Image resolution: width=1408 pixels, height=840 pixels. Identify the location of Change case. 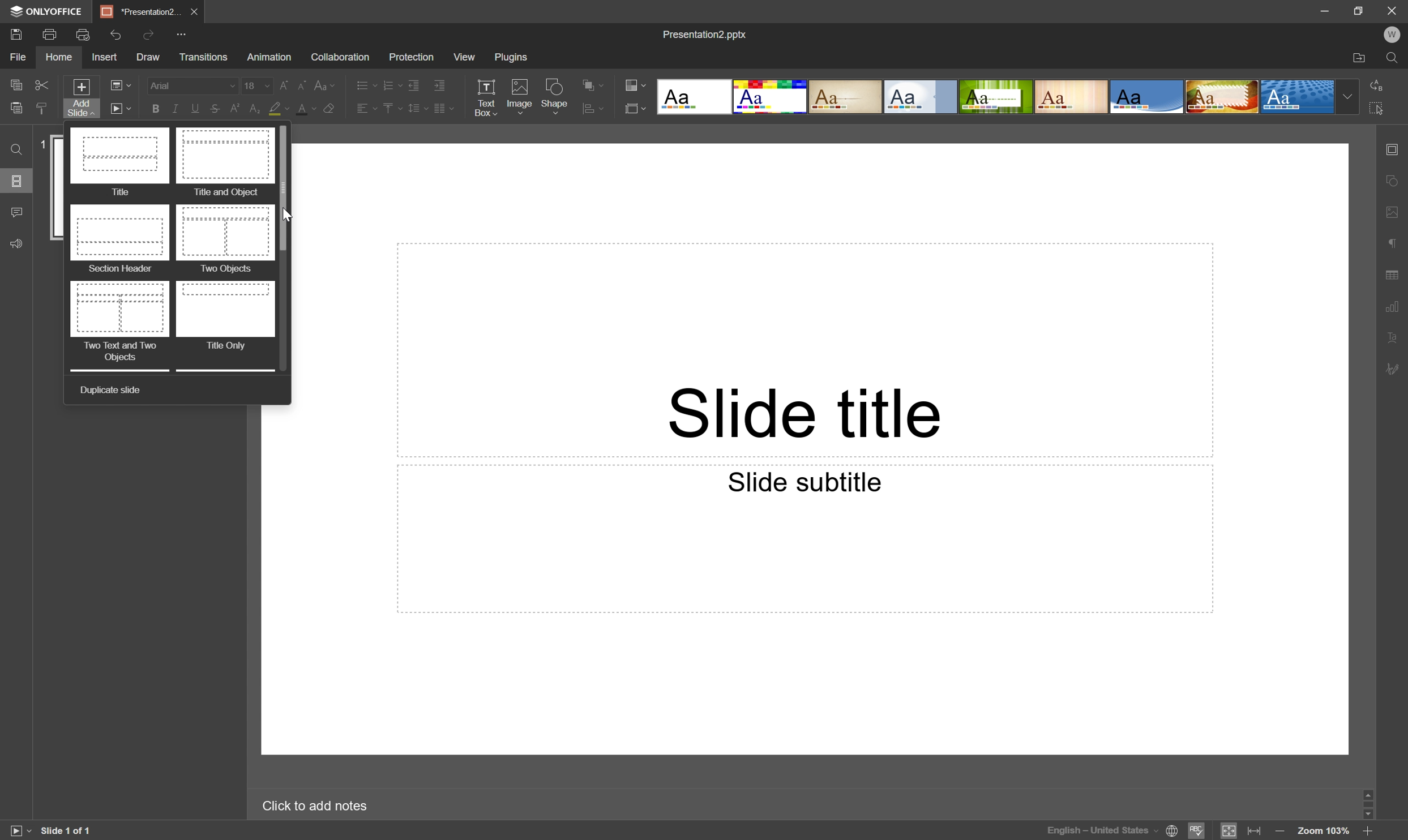
(327, 83).